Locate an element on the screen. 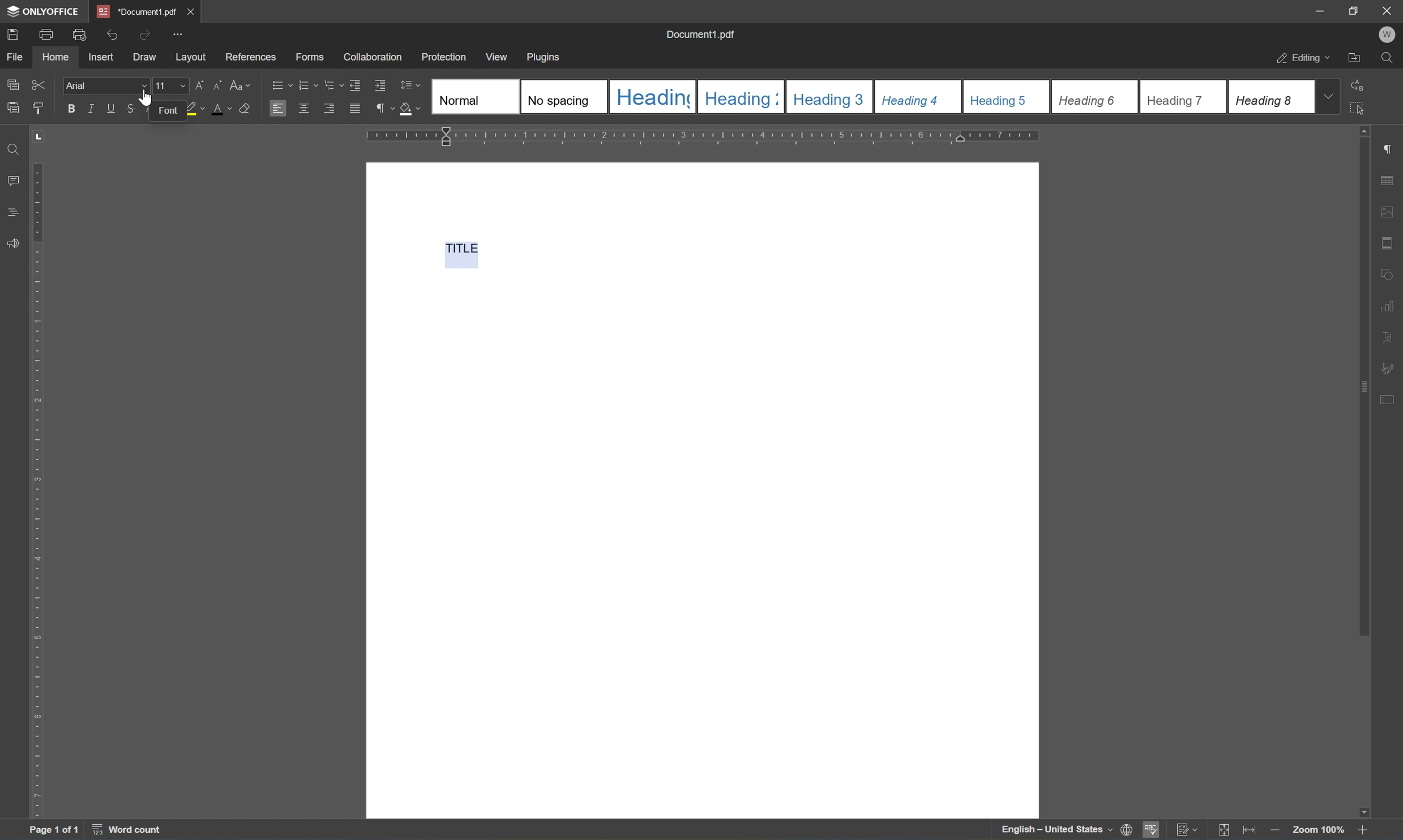 The width and height of the screenshot is (1403, 840). header & footer settings is located at coordinates (1390, 243).